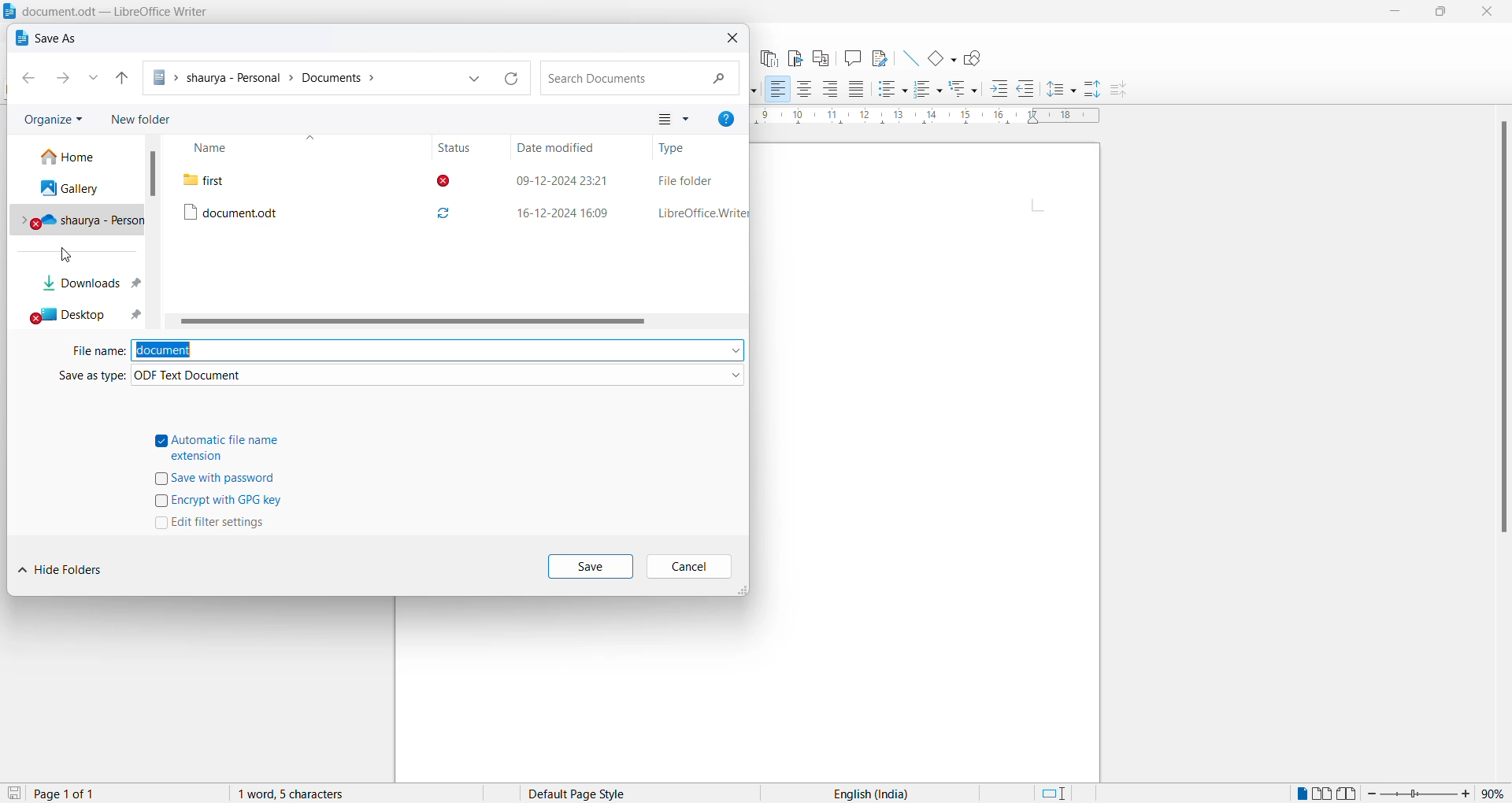 The height and width of the screenshot is (803, 1512). I want to click on page, so click(578, 690).